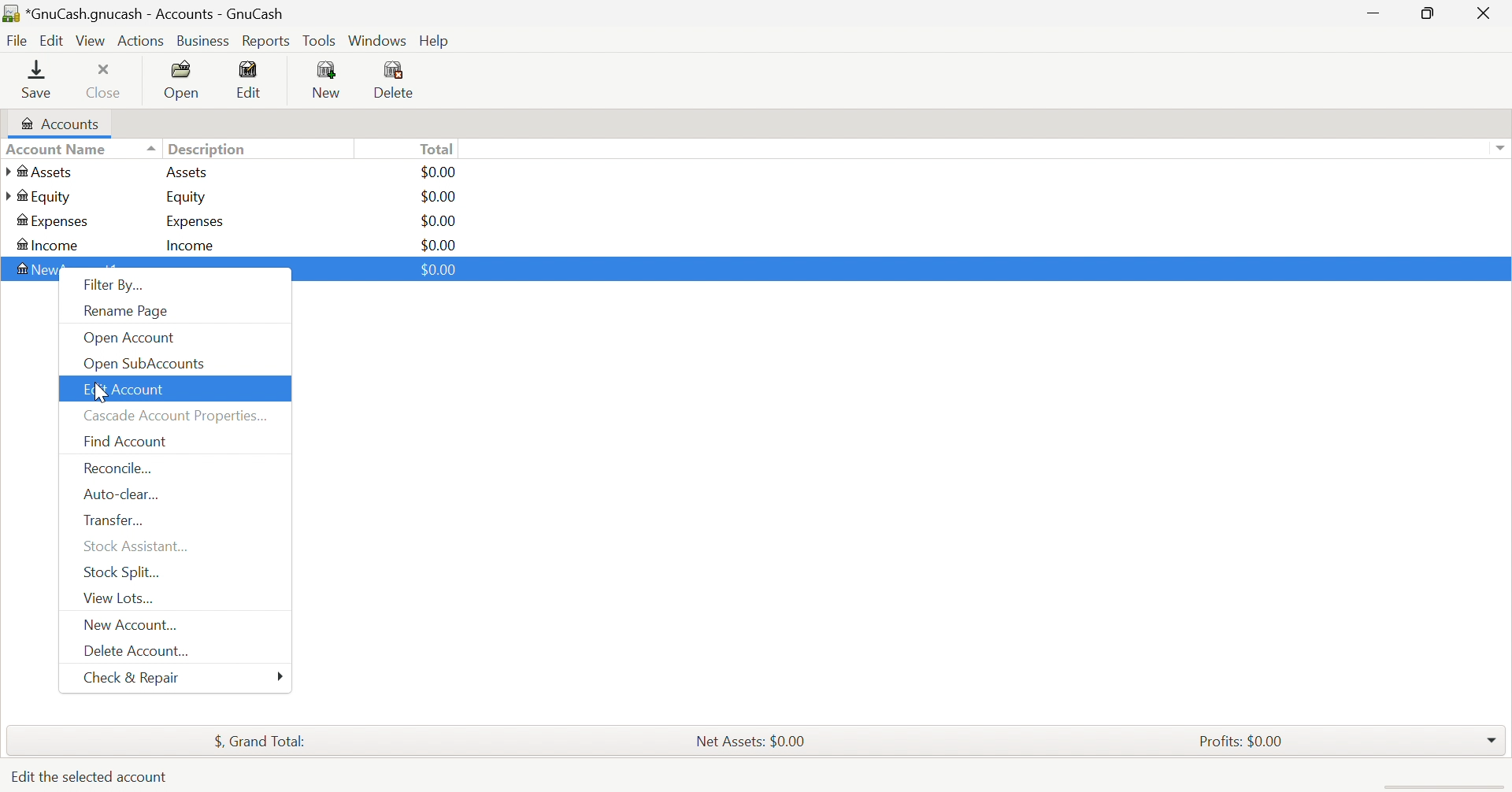 The width and height of the screenshot is (1512, 792). What do you see at coordinates (119, 598) in the screenshot?
I see `View Lots...` at bounding box center [119, 598].